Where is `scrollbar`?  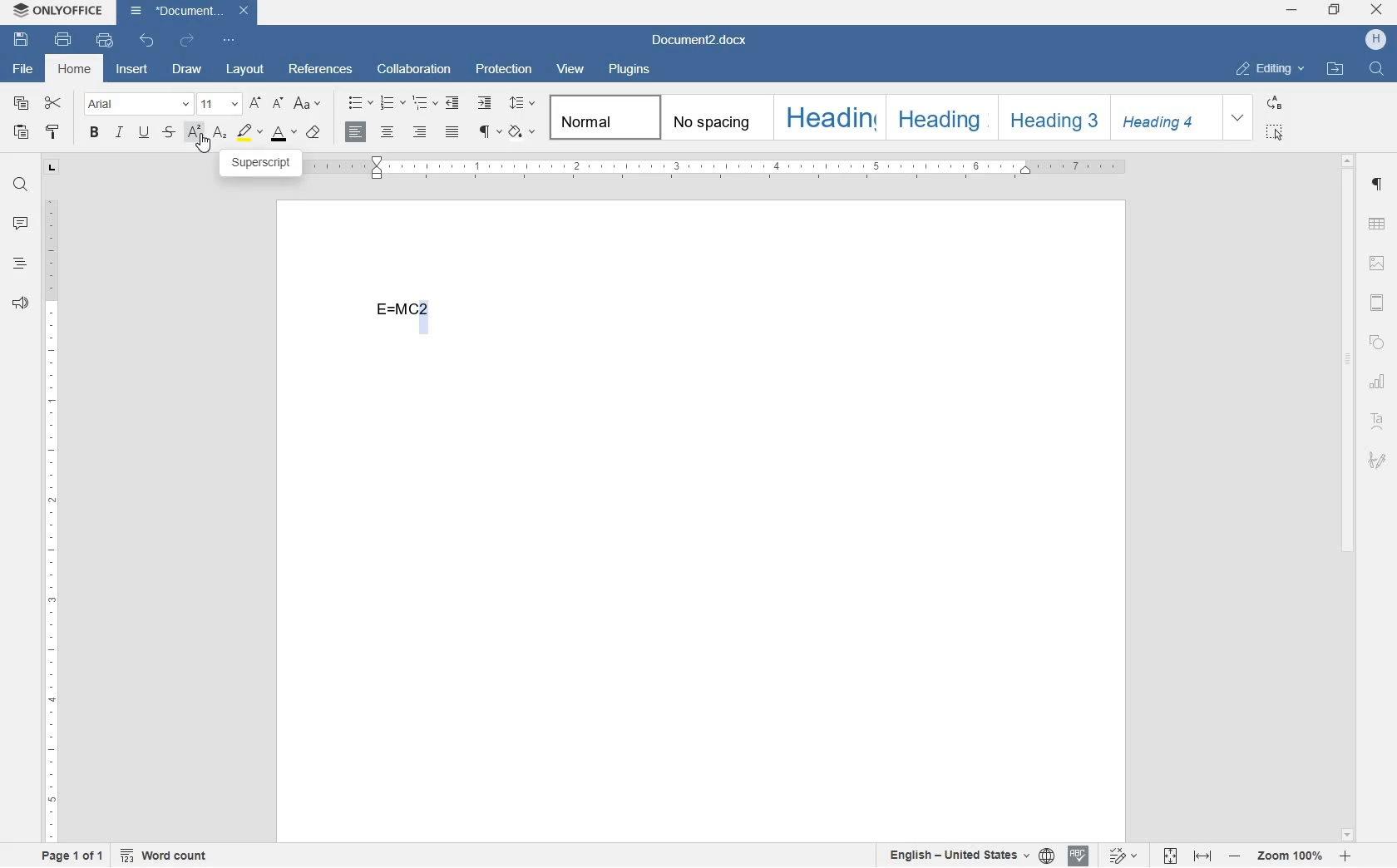
scrollbar is located at coordinates (1350, 497).